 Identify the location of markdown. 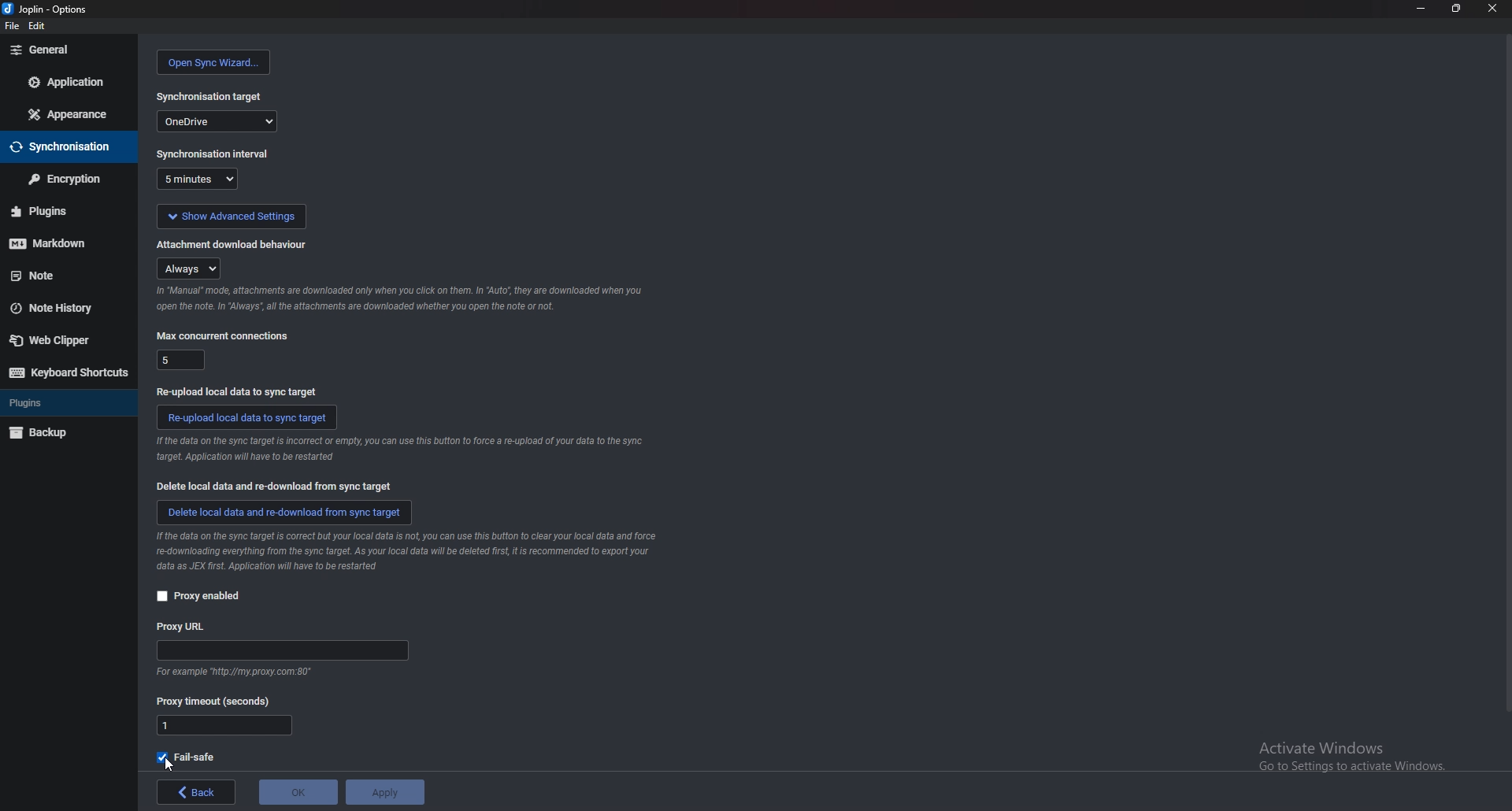
(59, 242).